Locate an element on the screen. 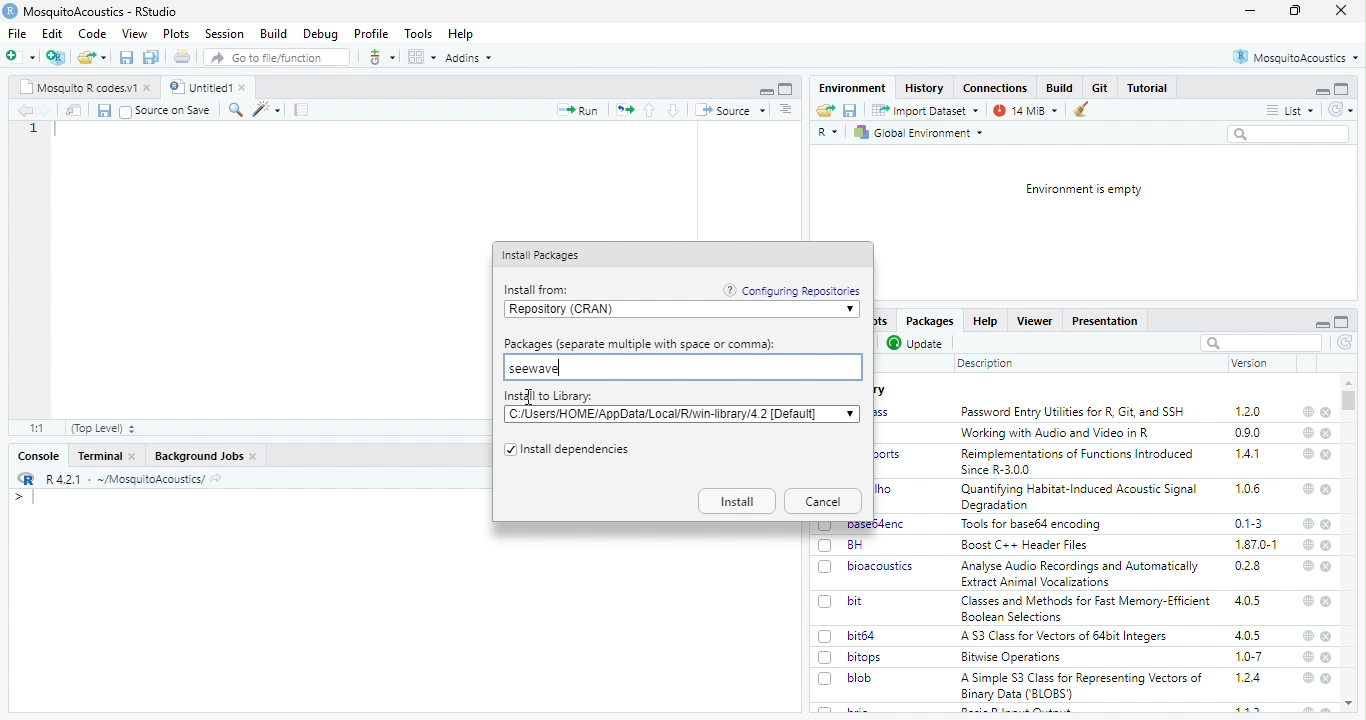 The width and height of the screenshot is (1366, 720). Install dependencies is located at coordinates (577, 451).